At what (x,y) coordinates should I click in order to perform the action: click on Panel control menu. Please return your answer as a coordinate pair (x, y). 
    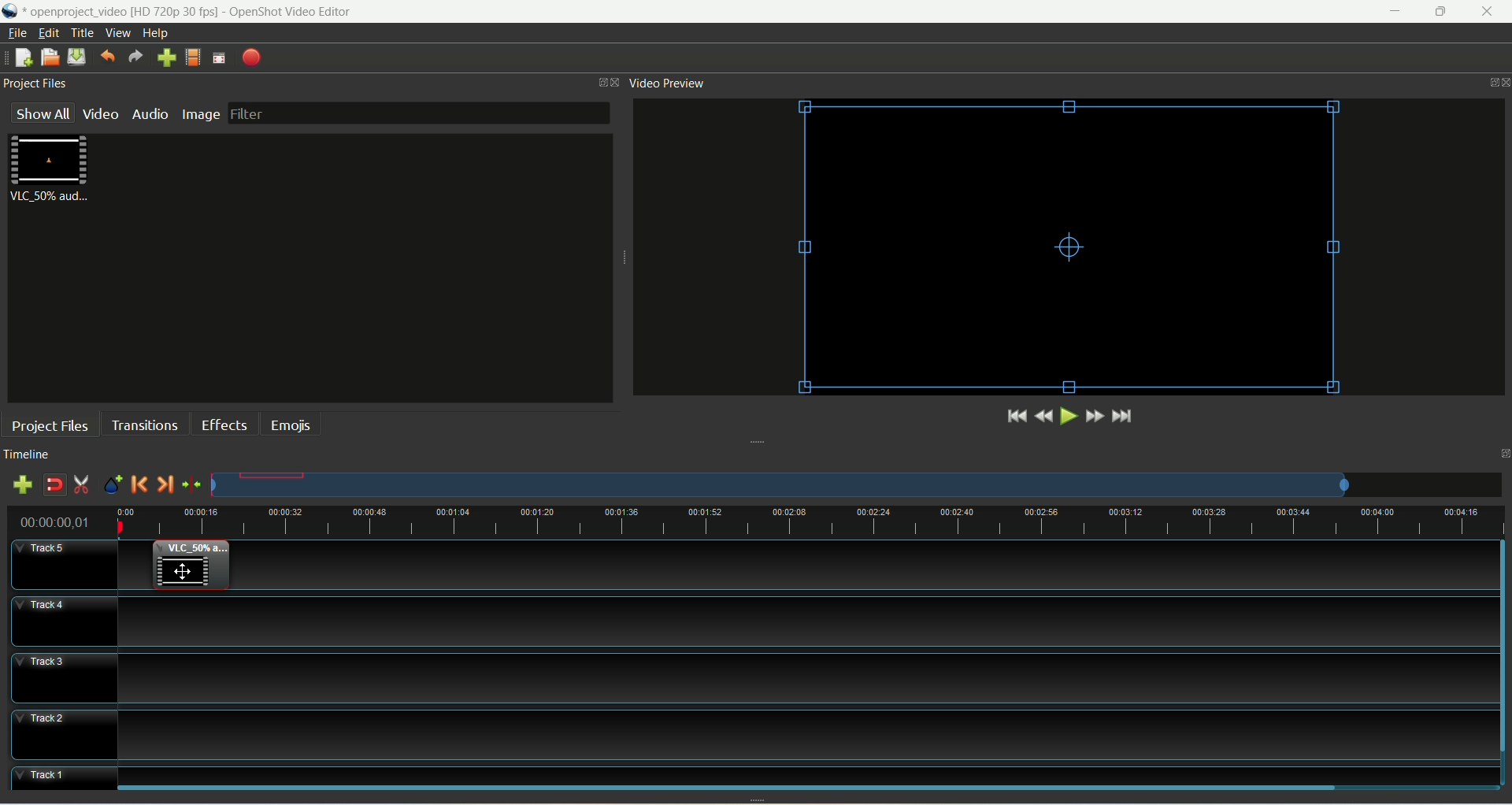
    Looking at the image, I should click on (1494, 83).